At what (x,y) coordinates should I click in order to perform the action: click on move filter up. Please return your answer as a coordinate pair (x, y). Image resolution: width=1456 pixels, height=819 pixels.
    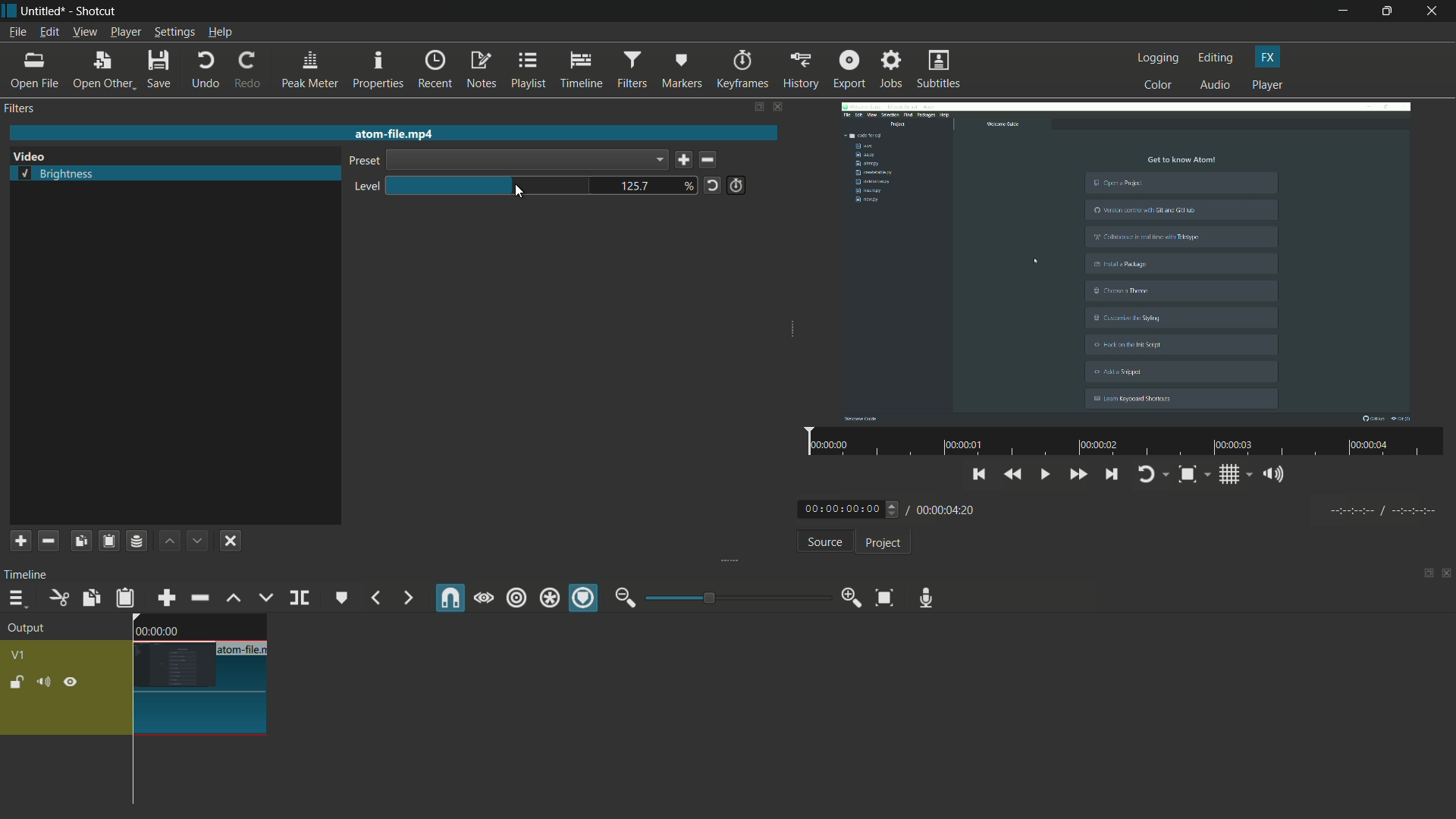
    Looking at the image, I should click on (169, 541).